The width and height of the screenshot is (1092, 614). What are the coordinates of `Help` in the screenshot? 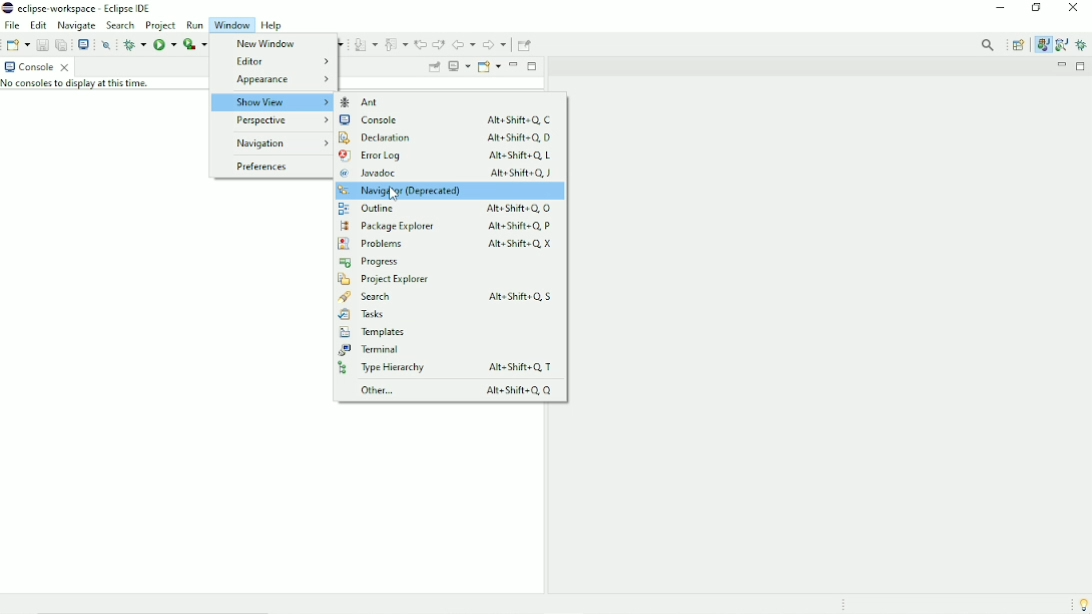 It's located at (275, 25).